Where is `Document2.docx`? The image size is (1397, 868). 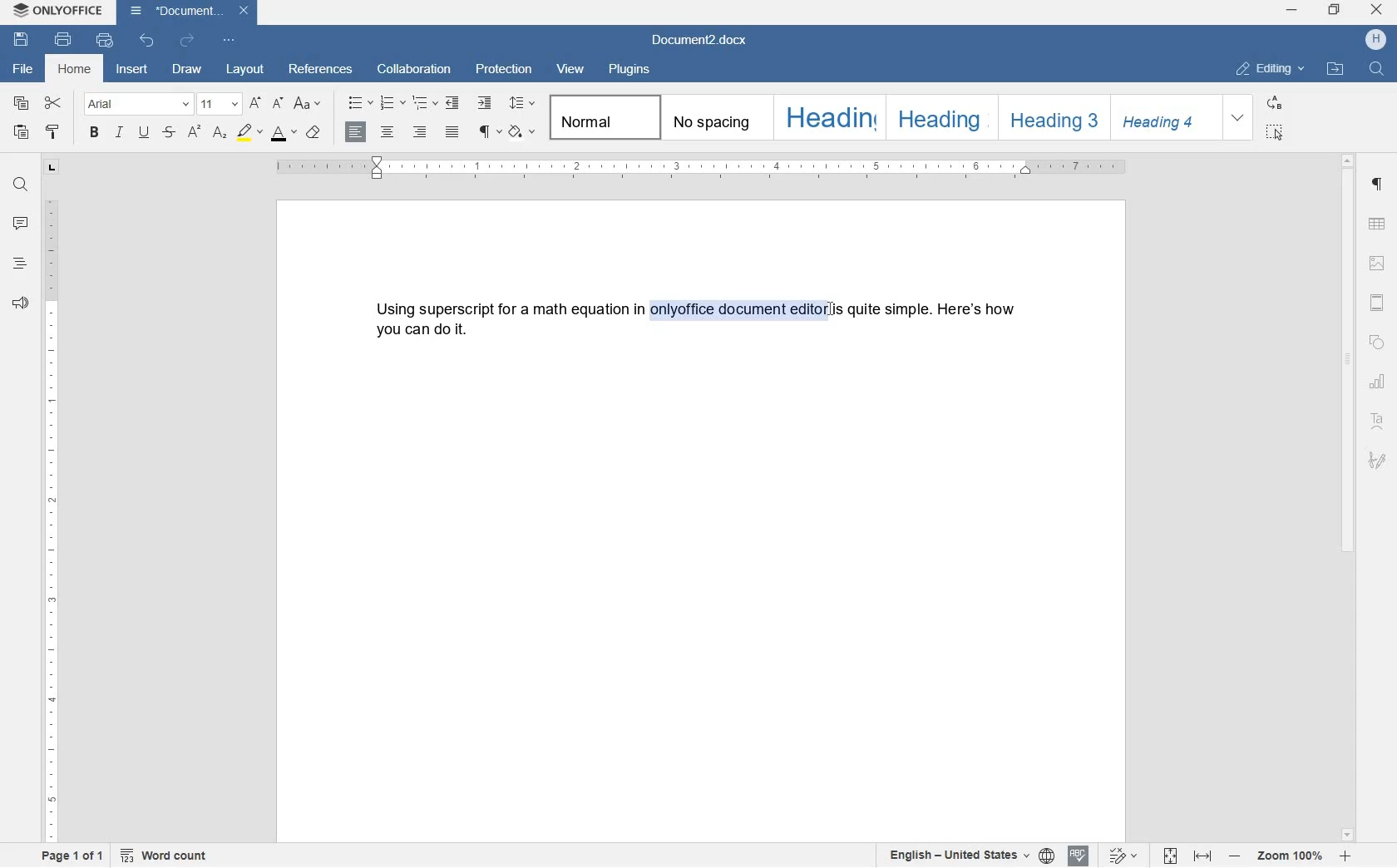 Document2.docx is located at coordinates (700, 40).